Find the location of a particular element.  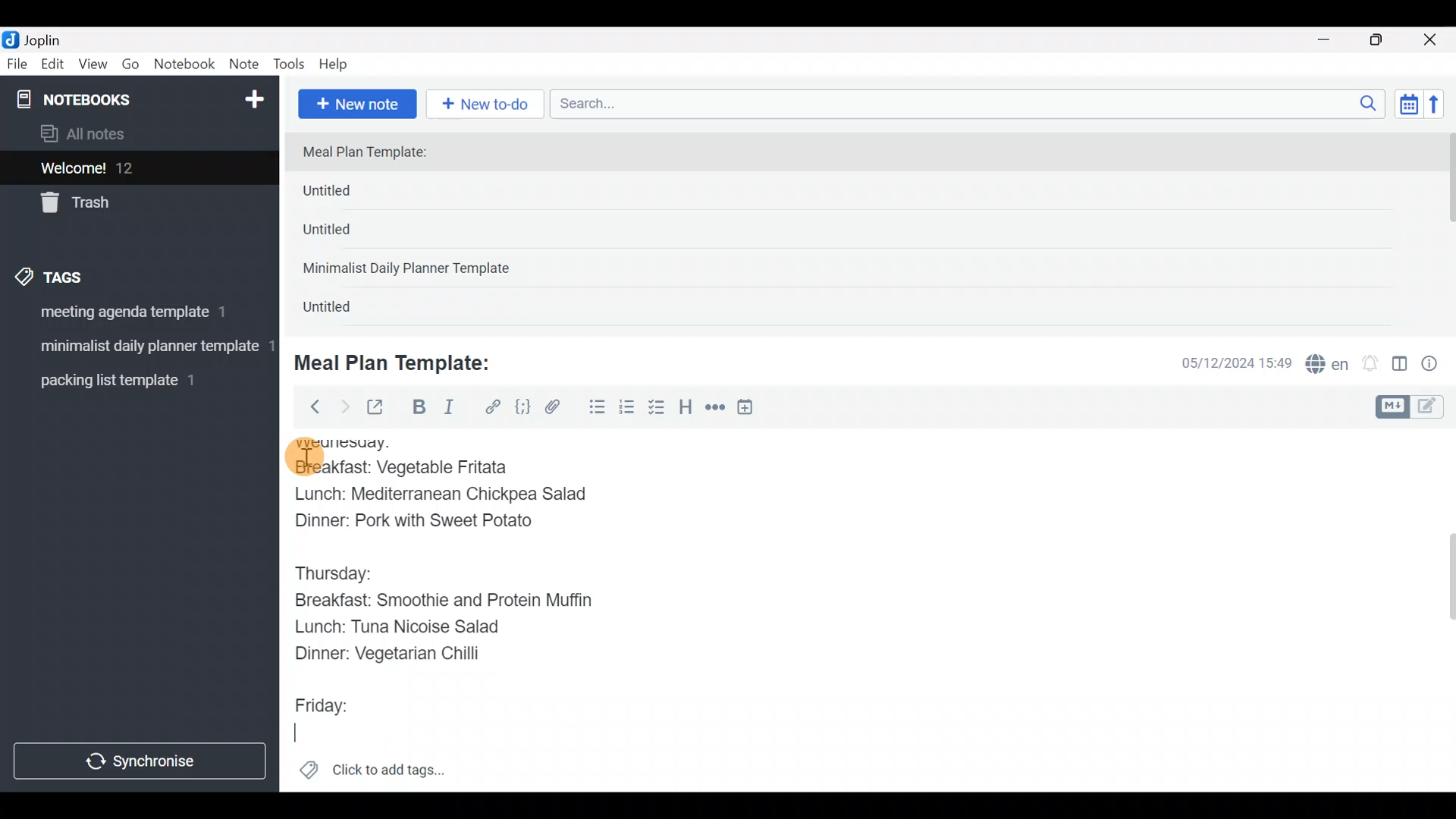

New note is located at coordinates (356, 102).